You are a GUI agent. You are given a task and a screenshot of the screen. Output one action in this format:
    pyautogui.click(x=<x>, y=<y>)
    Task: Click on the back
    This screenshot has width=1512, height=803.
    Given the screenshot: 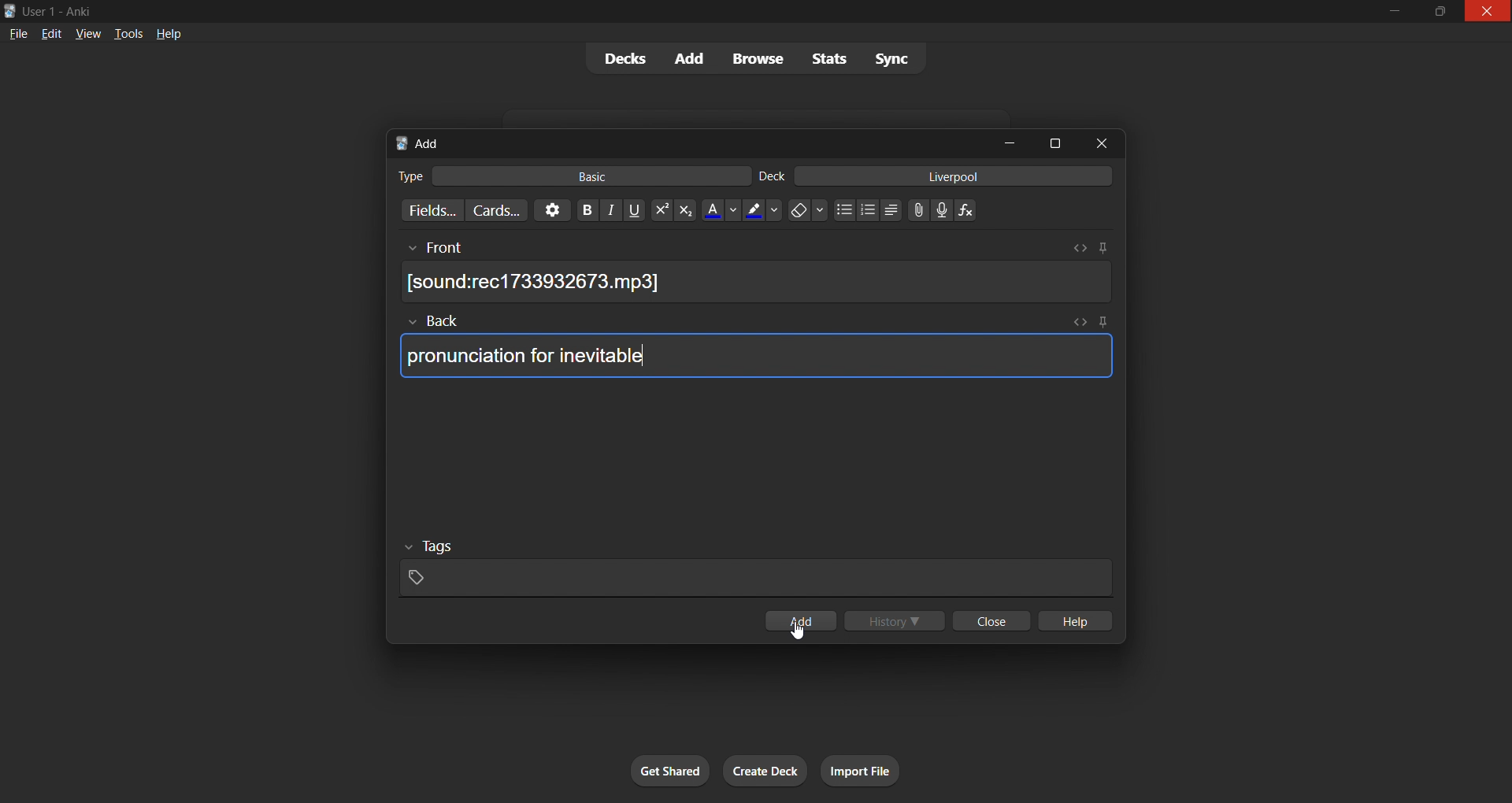 What is the action you would take?
    pyautogui.click(x=752, y=320)
    